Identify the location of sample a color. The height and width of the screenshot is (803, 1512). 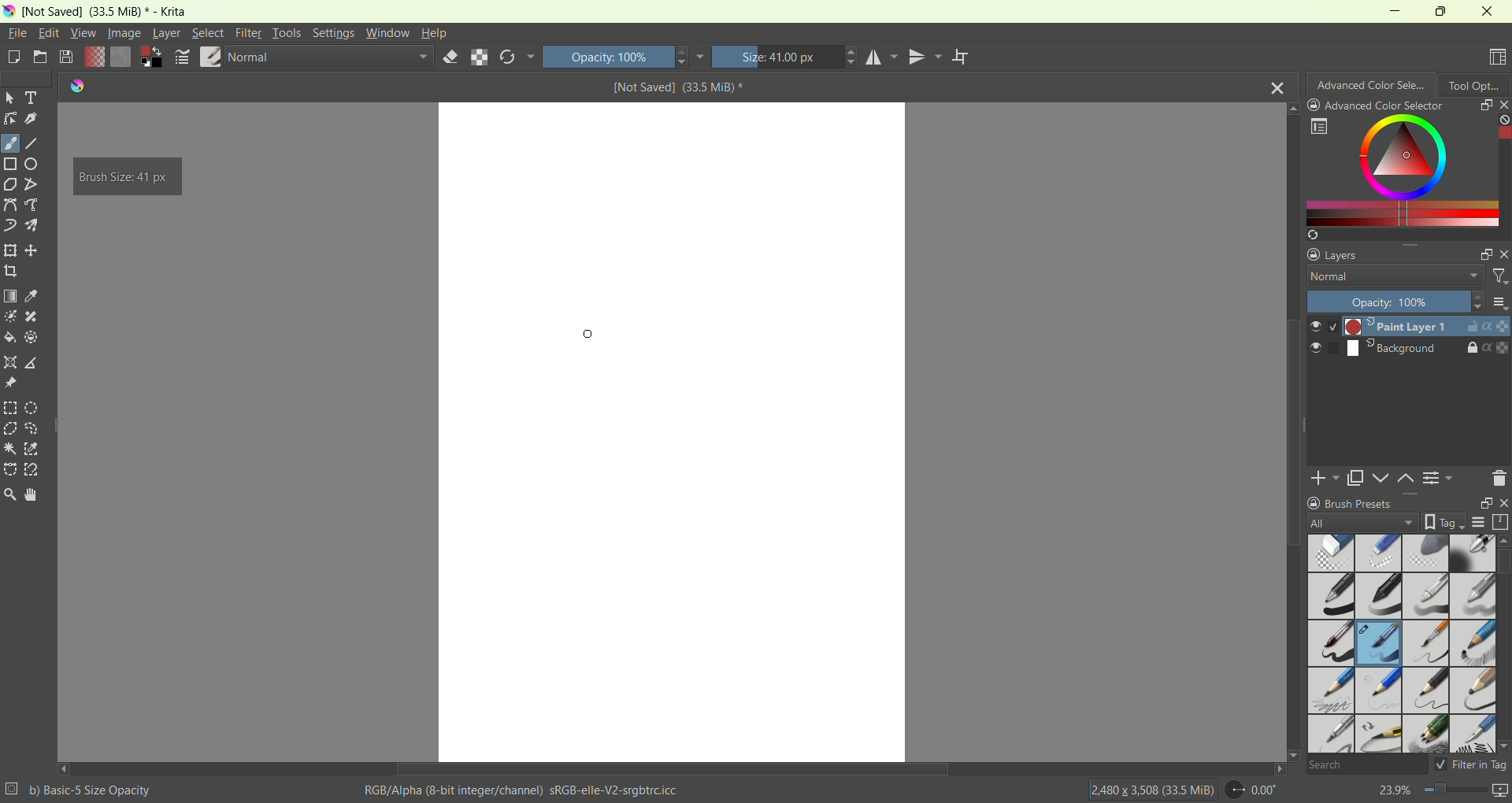
(31, 295).